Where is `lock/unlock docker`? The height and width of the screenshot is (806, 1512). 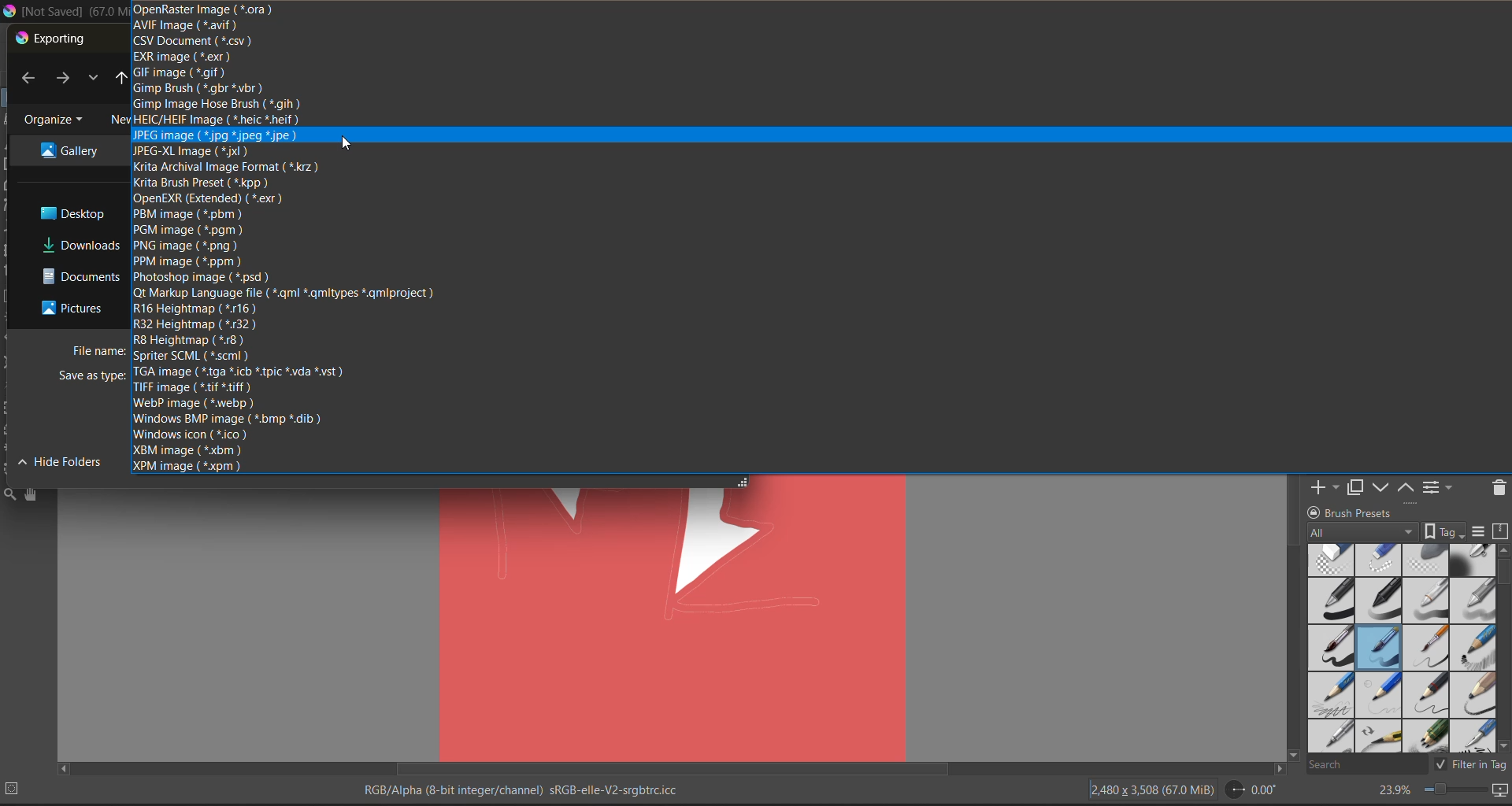
lock/unlock docker is located at coordinates (1314, 511).